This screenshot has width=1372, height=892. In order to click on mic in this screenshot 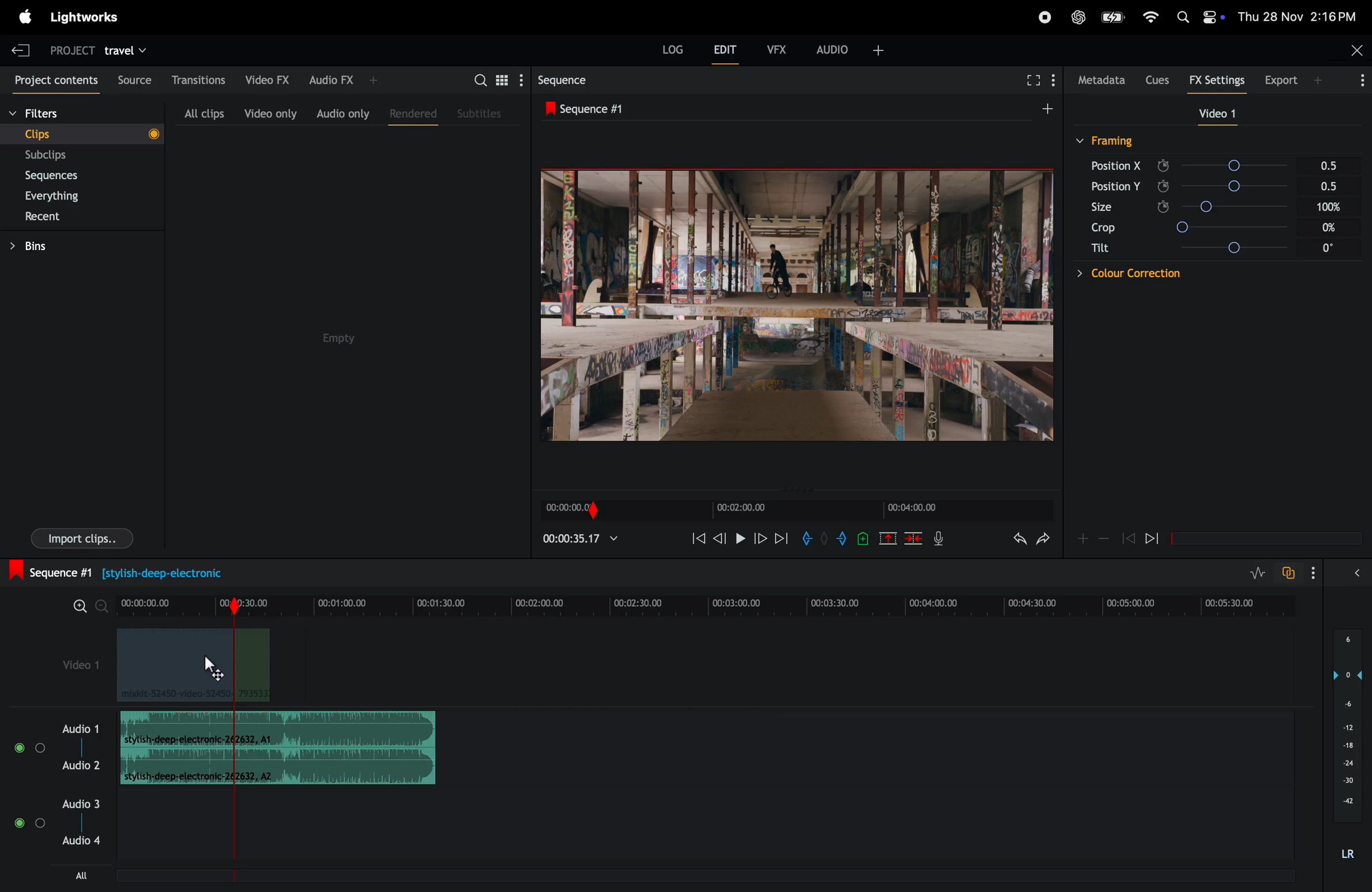, I will do `click(942, 538)`.